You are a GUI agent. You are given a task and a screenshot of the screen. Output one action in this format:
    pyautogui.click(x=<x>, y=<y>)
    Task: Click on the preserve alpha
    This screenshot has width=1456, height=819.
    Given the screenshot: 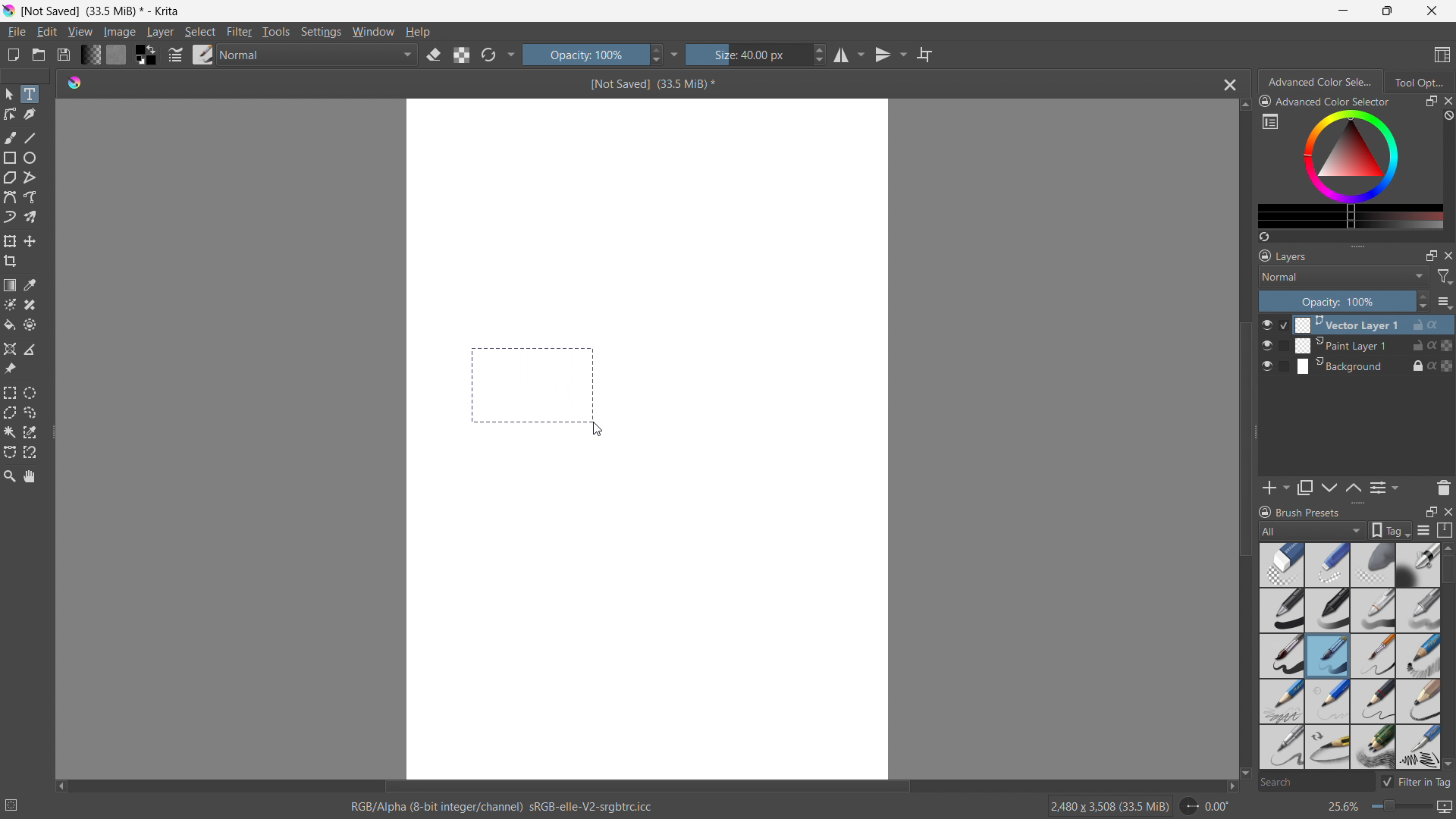 What is the action you would take?
    pyautogui.click(x=461, y=55)
    